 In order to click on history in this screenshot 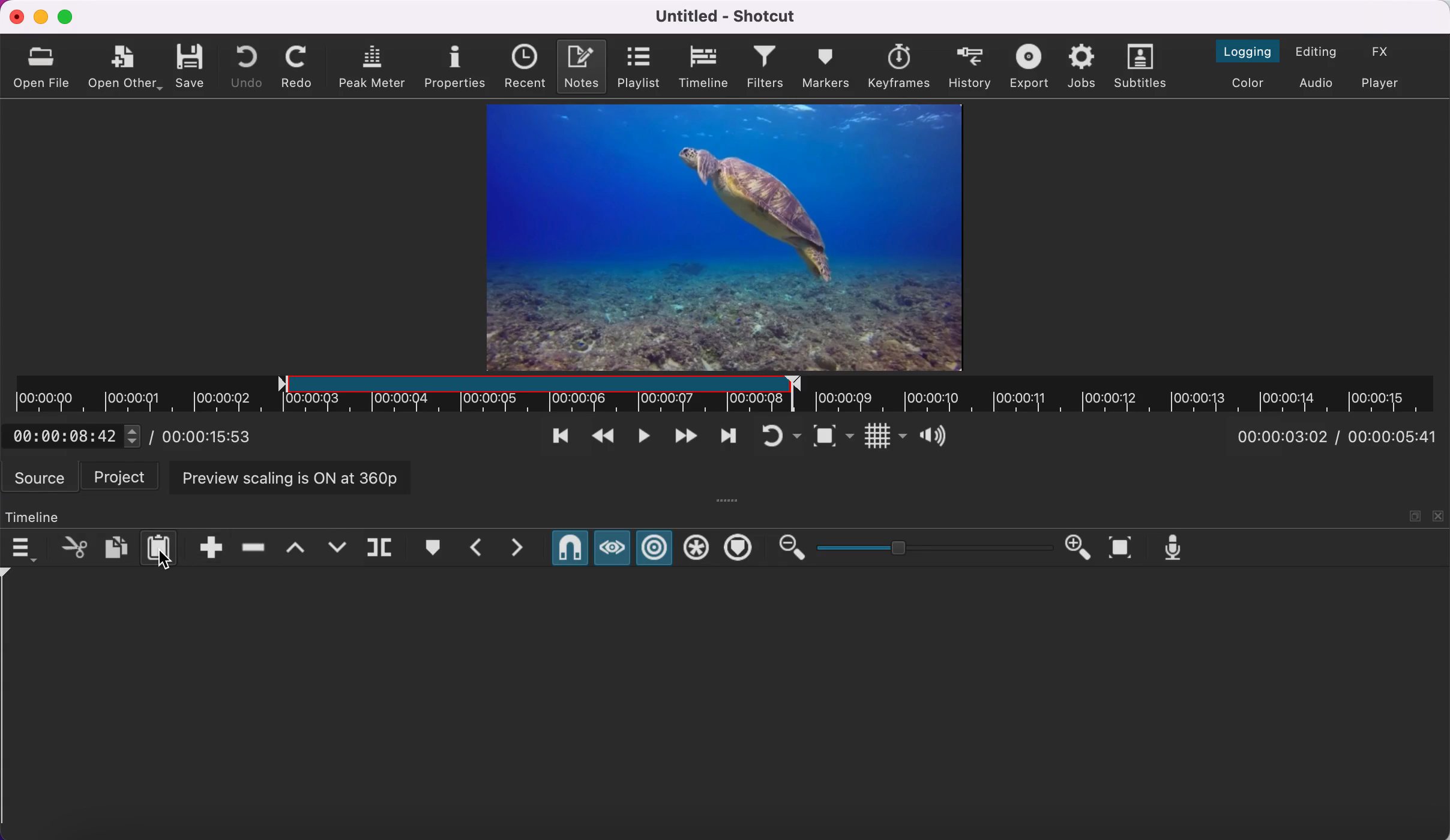, I will do `click(970, 64)`.